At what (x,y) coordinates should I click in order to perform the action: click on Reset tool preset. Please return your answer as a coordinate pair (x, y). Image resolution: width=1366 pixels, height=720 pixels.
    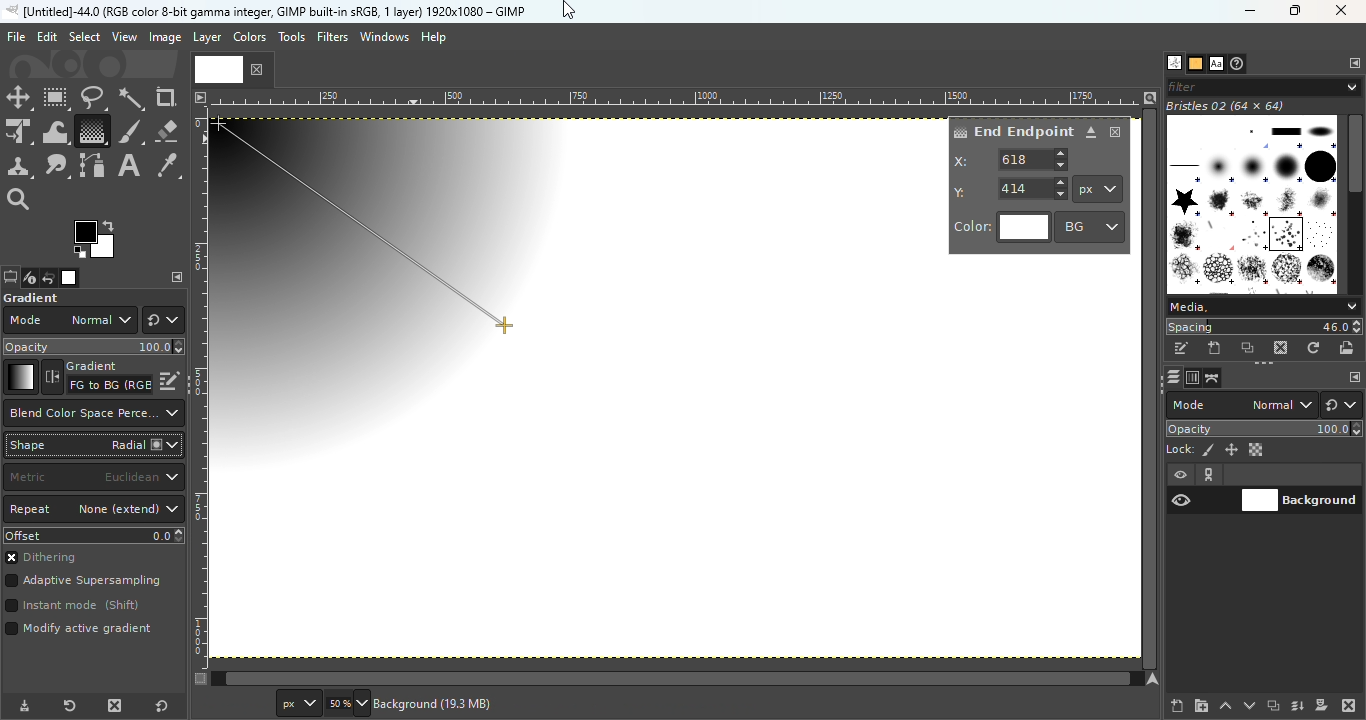
    Looking at the image, I should click on (67, 707).